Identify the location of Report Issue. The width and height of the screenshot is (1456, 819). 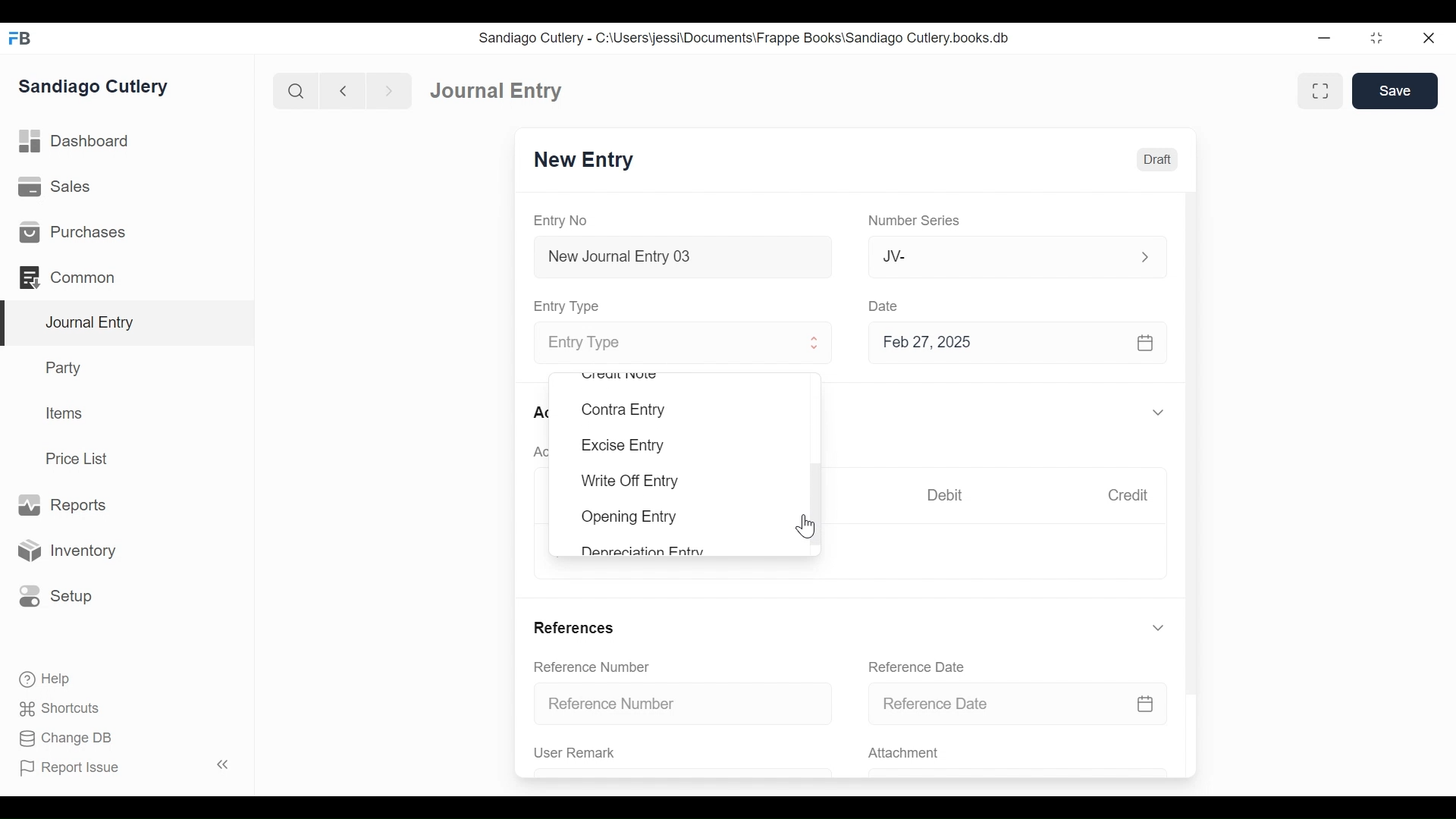
(71, 768).